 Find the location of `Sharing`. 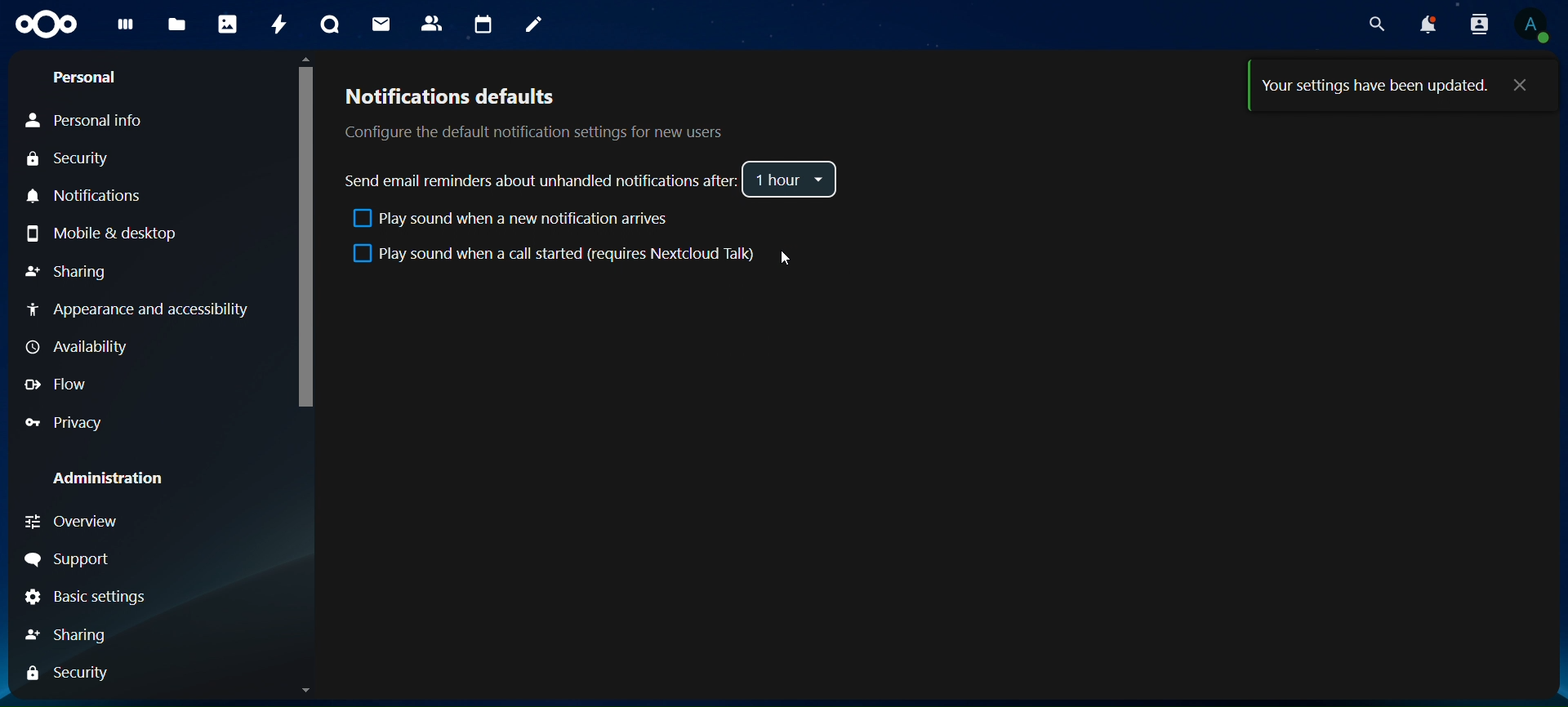

Sharing is located at coordinates (69, 636).